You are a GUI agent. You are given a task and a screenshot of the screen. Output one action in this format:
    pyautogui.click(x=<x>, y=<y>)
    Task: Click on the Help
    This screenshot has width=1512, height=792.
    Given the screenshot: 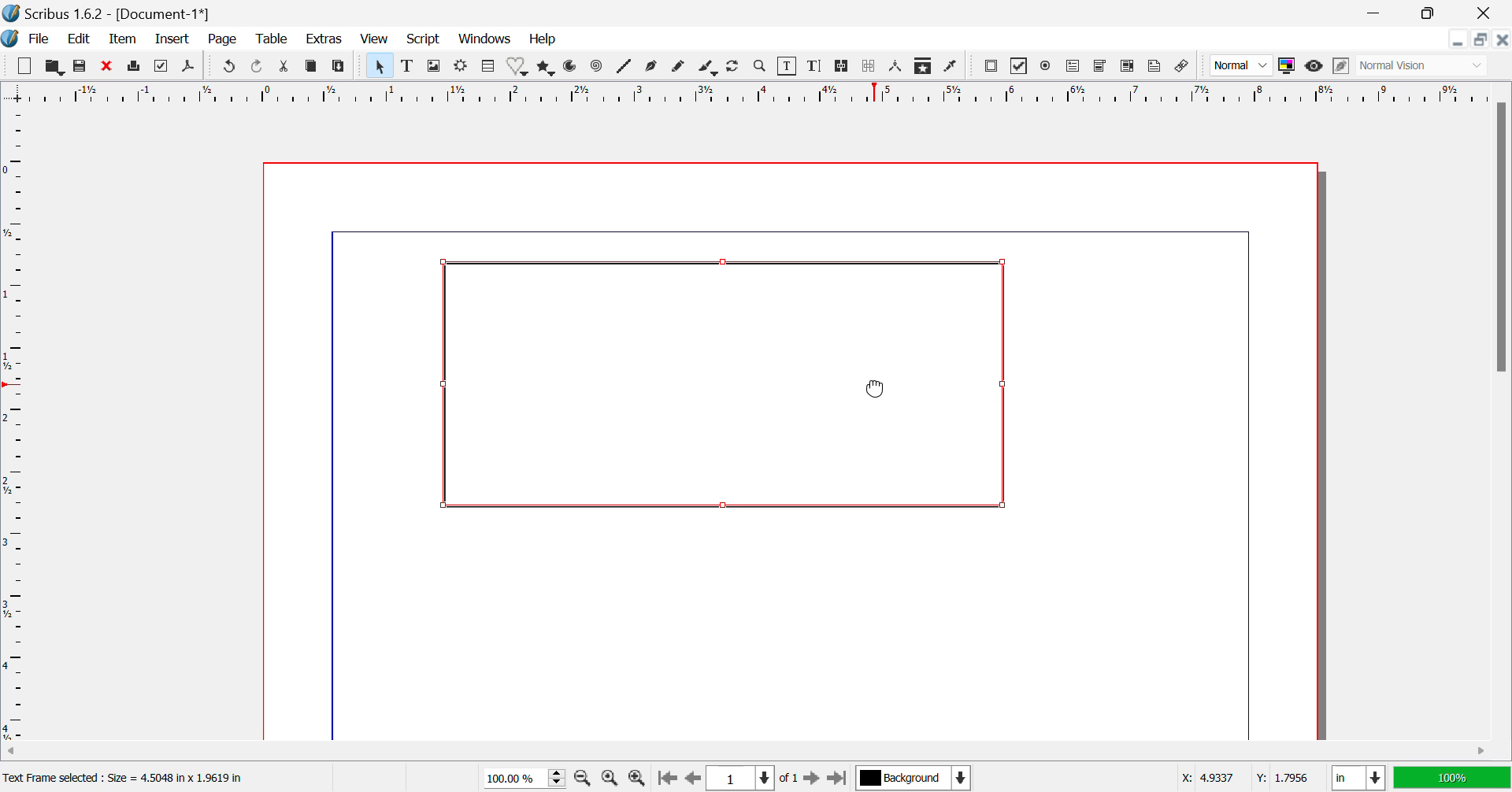 What is the action you would take?
    pyautogui.click(x=543, y=40)
    